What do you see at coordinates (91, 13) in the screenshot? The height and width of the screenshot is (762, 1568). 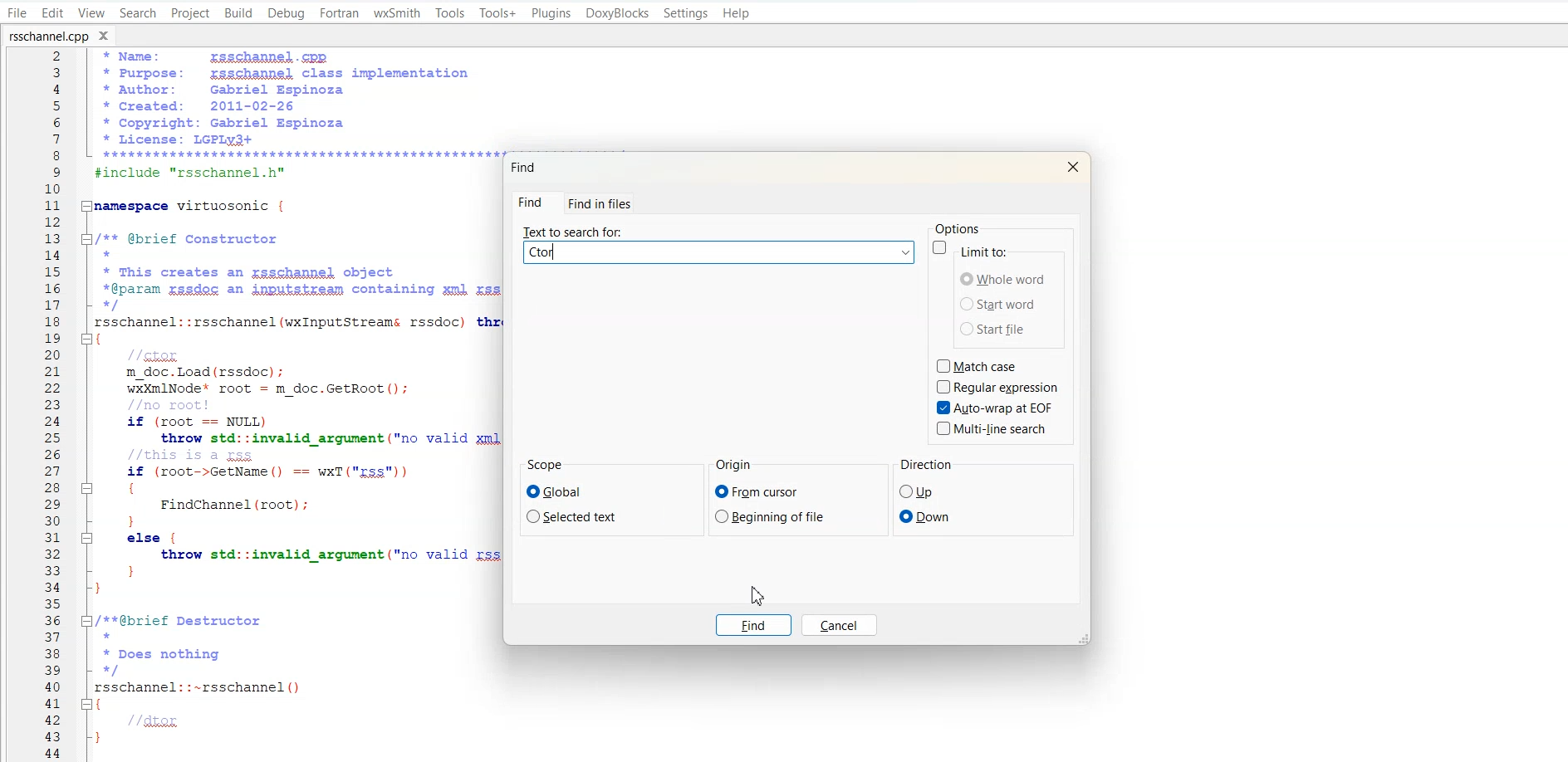 I see `View` at bounding box center [91, 13].